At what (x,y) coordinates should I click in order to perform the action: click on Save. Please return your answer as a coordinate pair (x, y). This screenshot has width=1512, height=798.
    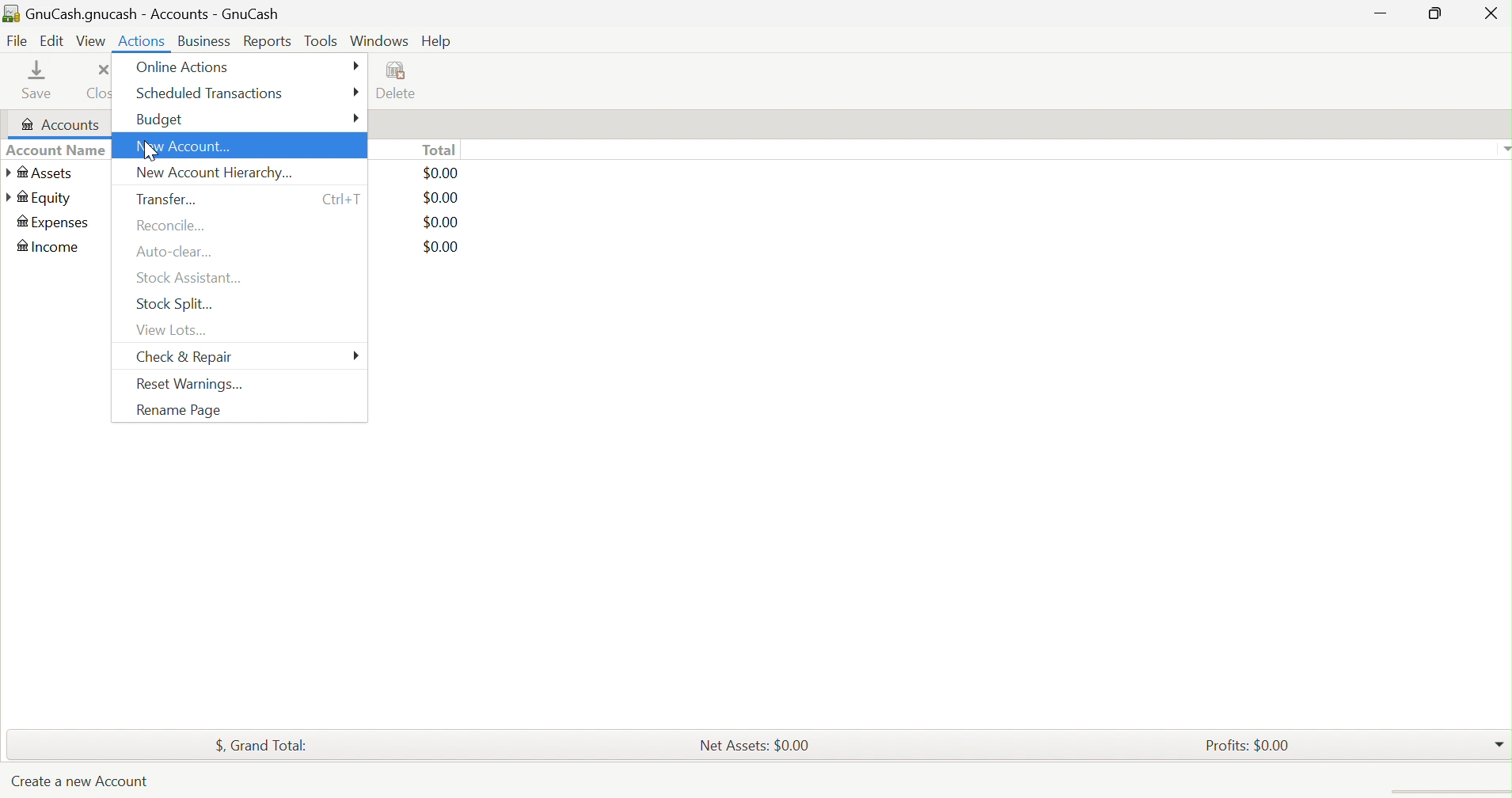
    Looking at the image, I should click on (42, 80).